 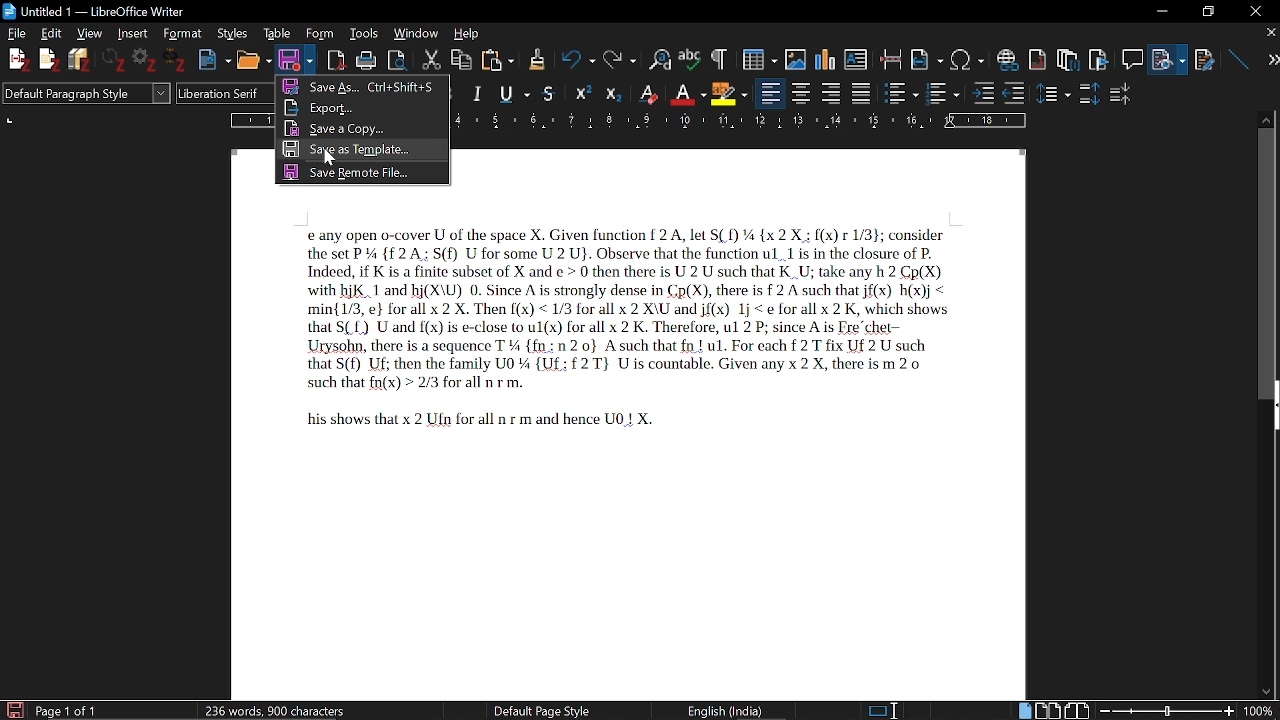 I want to click on Italics, so click(x=478, y=92).